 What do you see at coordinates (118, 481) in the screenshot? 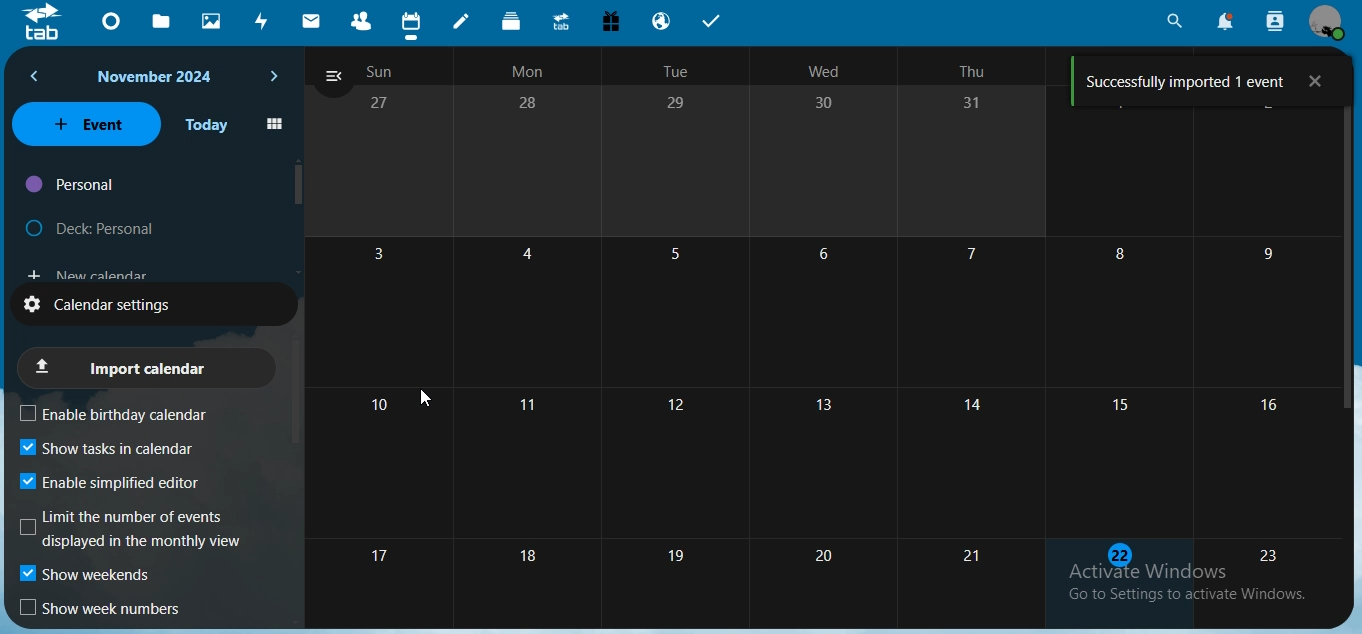
I see `enable simplified editor` at bounding box center [118, 481].